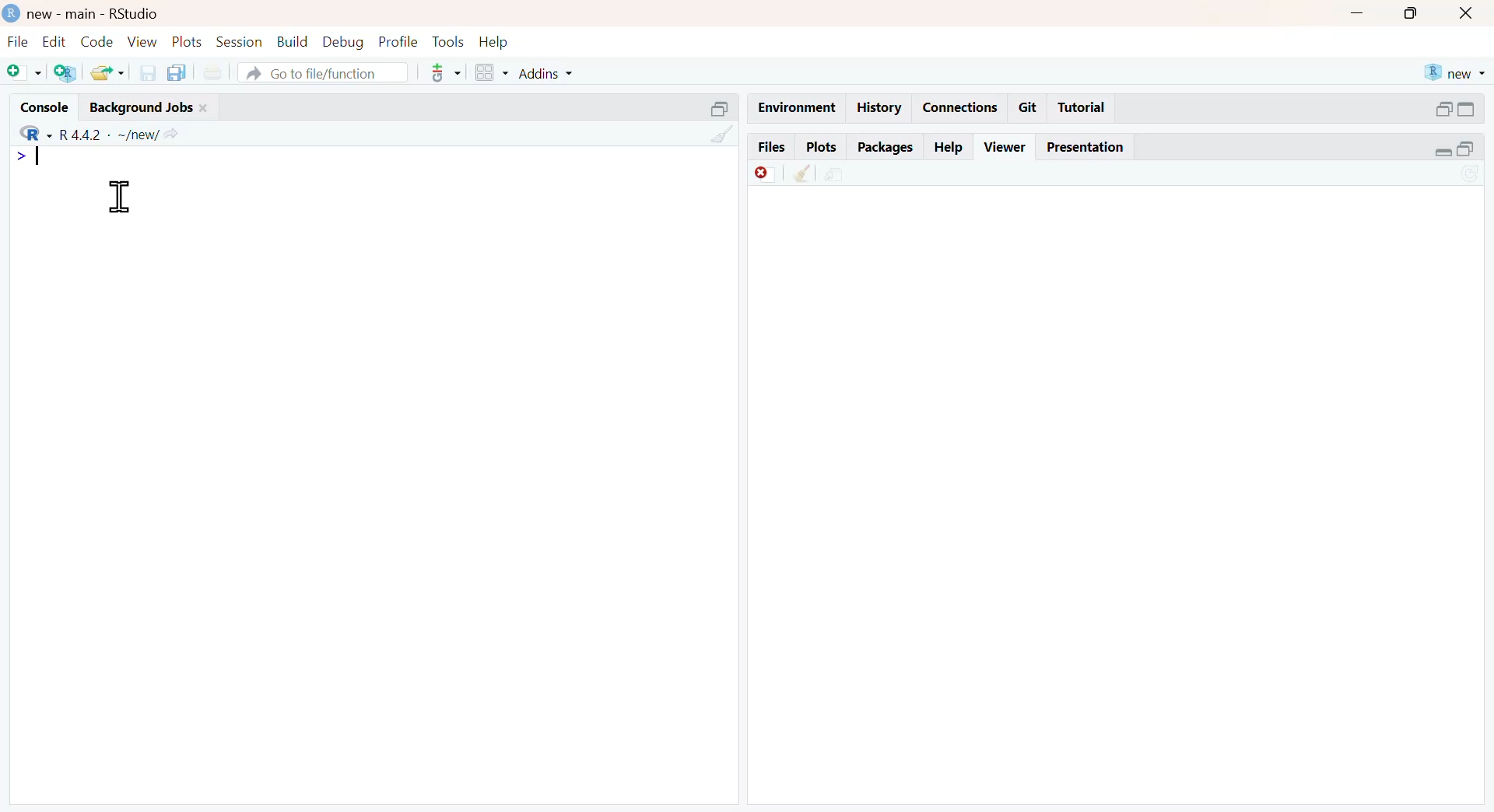 The image size is (1494, 812). Describe the element at coordinates (721, 110) in the screenshot. I see `open in separate window` at that location.